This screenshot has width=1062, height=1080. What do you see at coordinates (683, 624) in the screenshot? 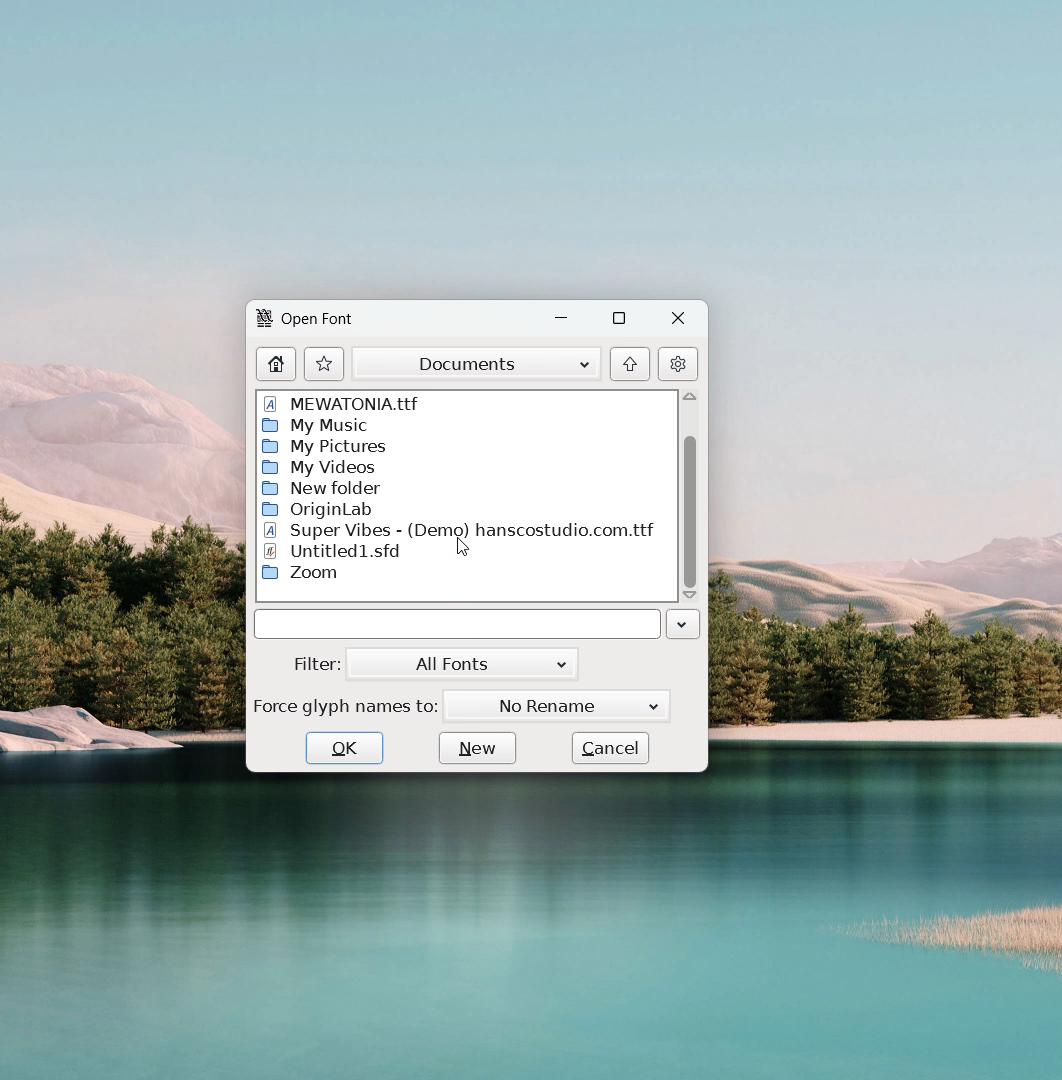
I see `click to see file history` at bounding box center [683, 624].